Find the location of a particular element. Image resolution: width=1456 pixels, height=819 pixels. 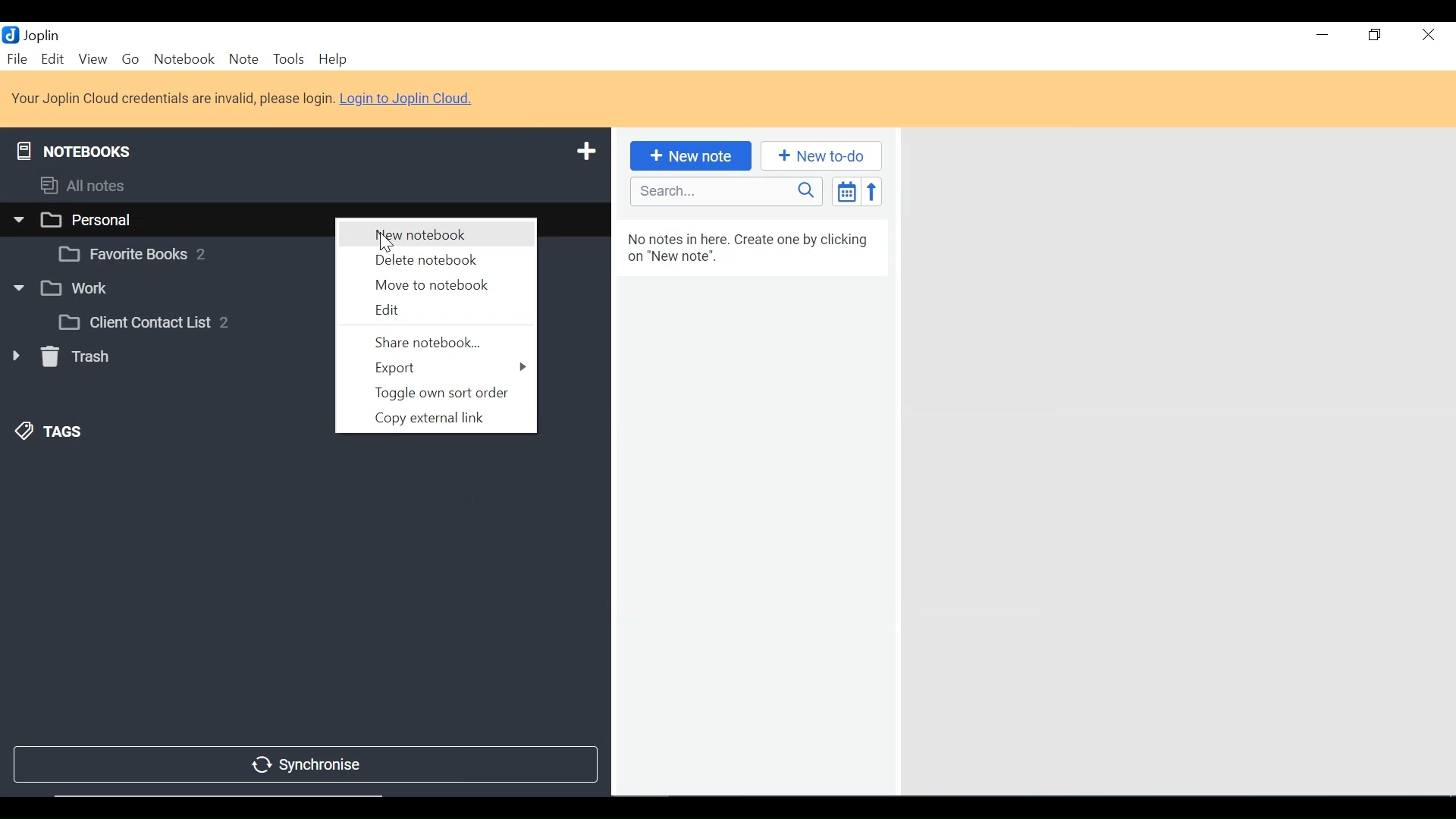

SEARCH is located at coordinates (727, 191).